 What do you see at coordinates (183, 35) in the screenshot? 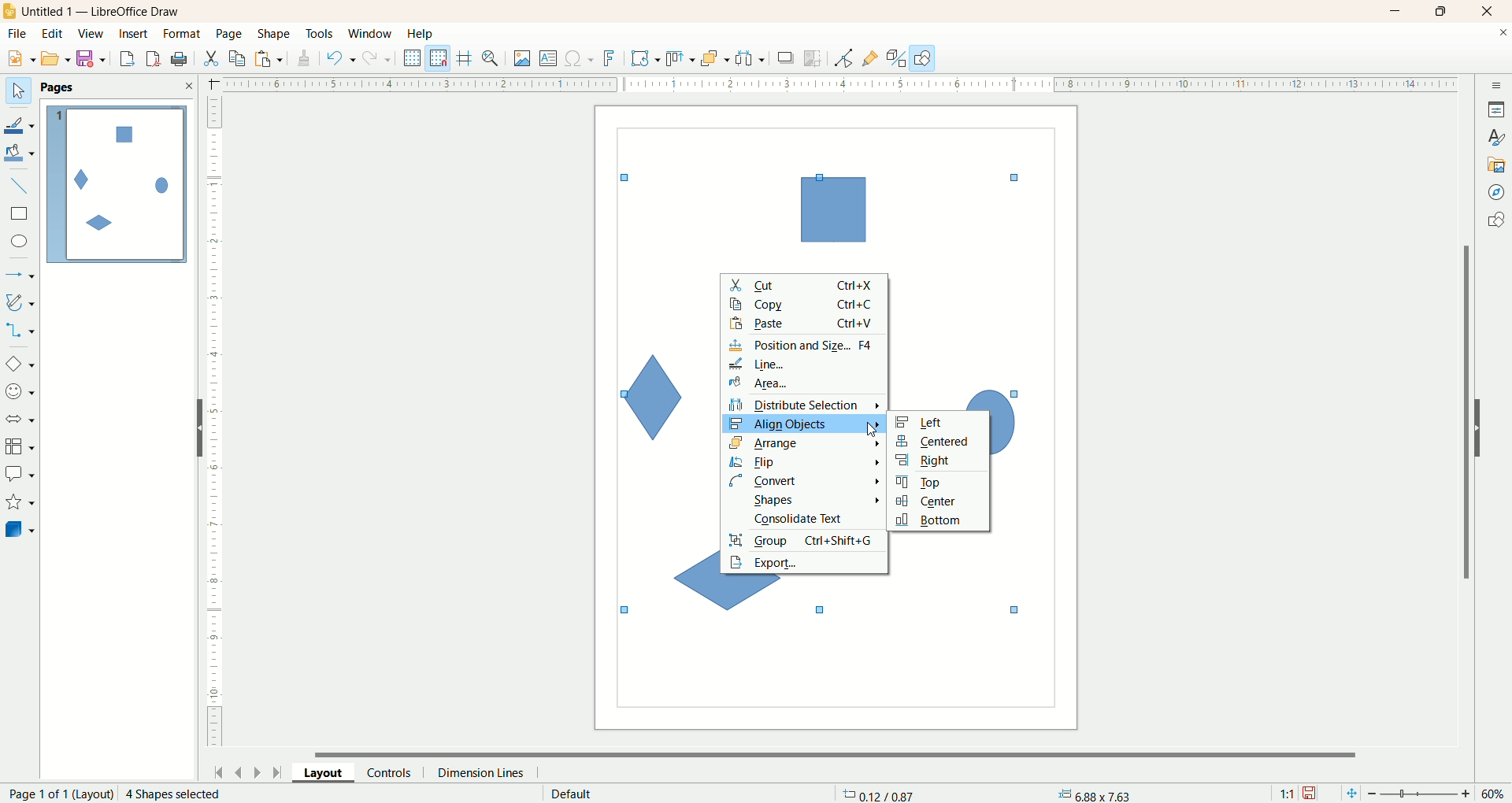
I see `format` at bounding box center [183, 35].